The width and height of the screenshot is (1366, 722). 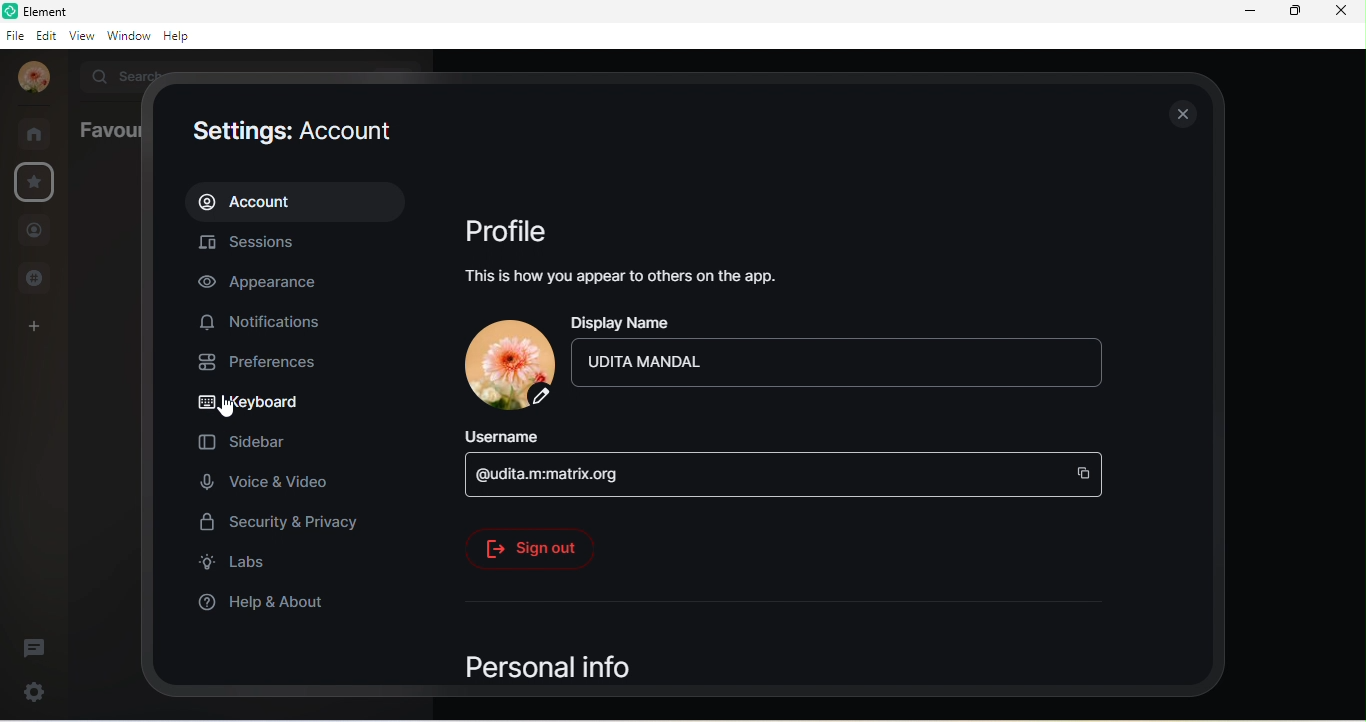 What do you see at coordinates (540, 552) in the screenshot?
I see `signout` at bounding box center [540, 552].